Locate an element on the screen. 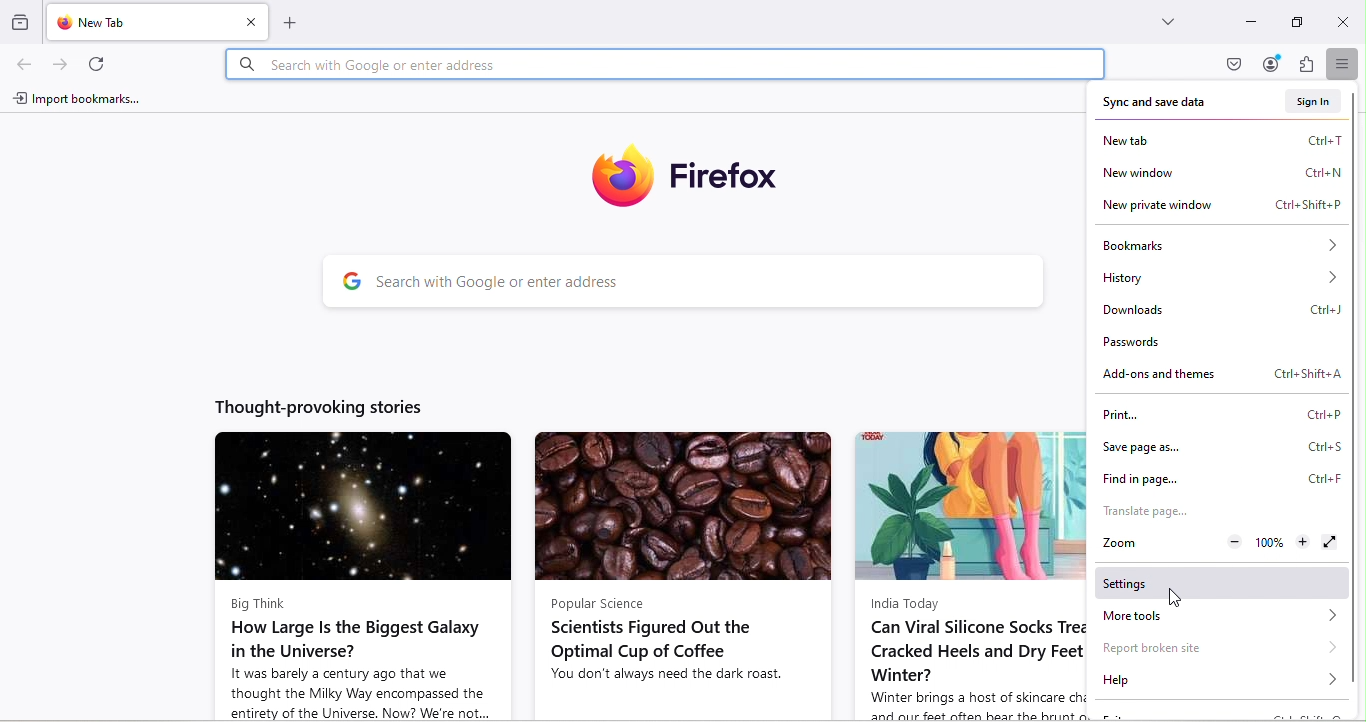 The width and height of the screenshot is (1366, 722). Search bar is located at coordinates (660, 63).